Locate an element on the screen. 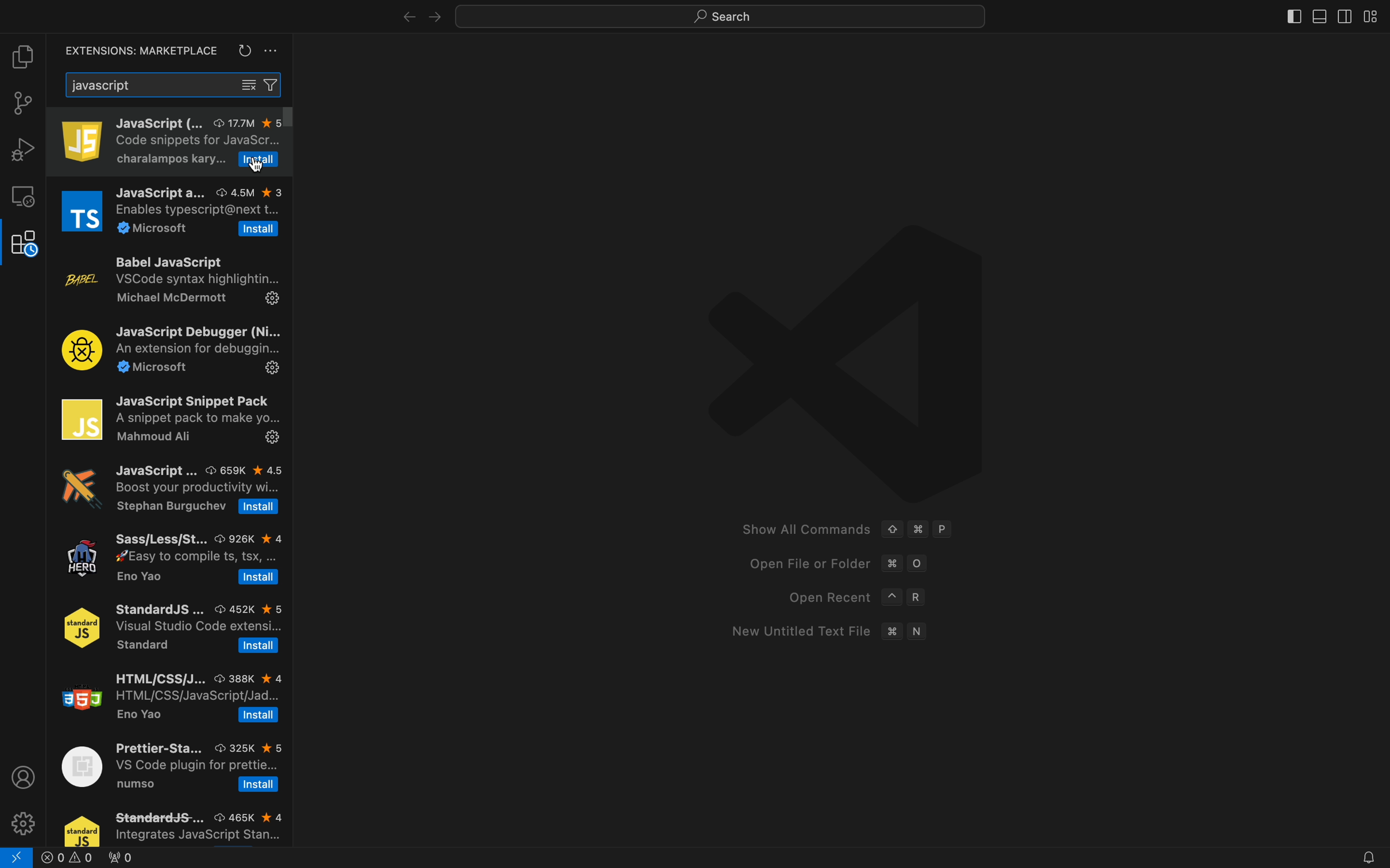 This screenshot has height=868, width=1390. JavaScript Debugger (Ni...
An extension for debuggin...
2 Microsoft £23 is located at coordinates (169, 348).